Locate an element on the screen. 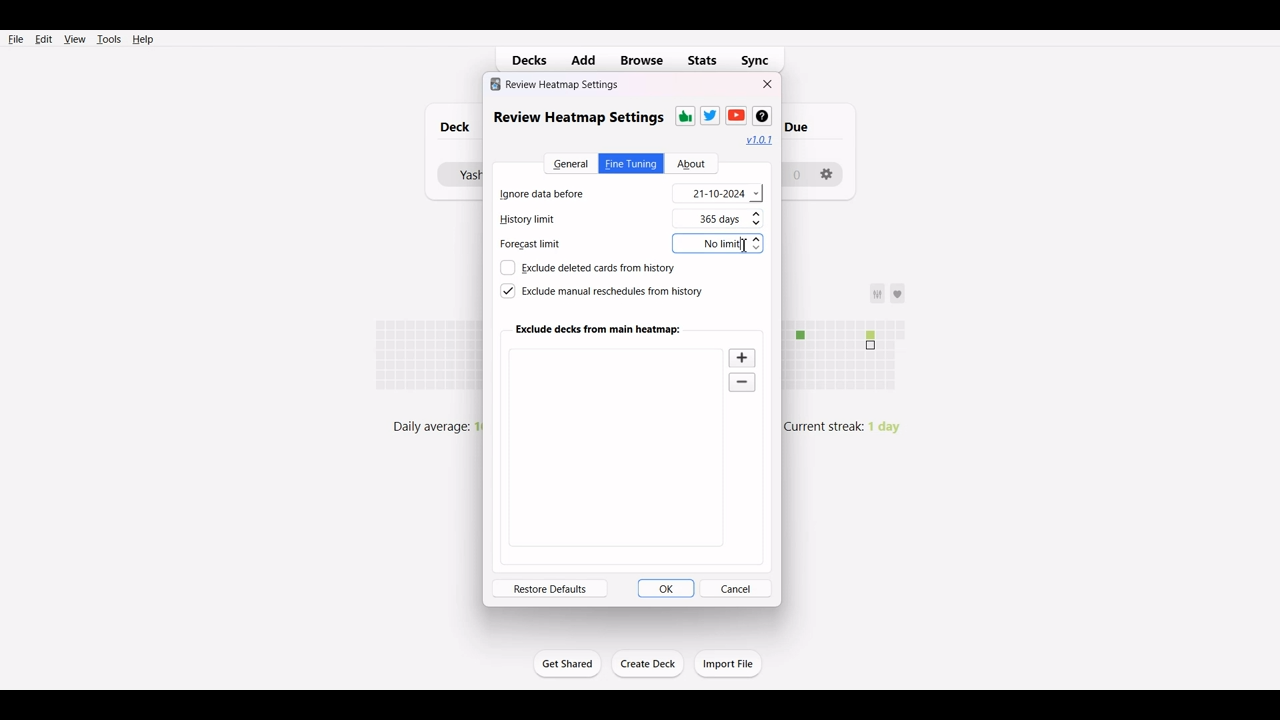 The width and height of the screenshot is (1280, 720). Thums-up is located at coordinates (684, 116).